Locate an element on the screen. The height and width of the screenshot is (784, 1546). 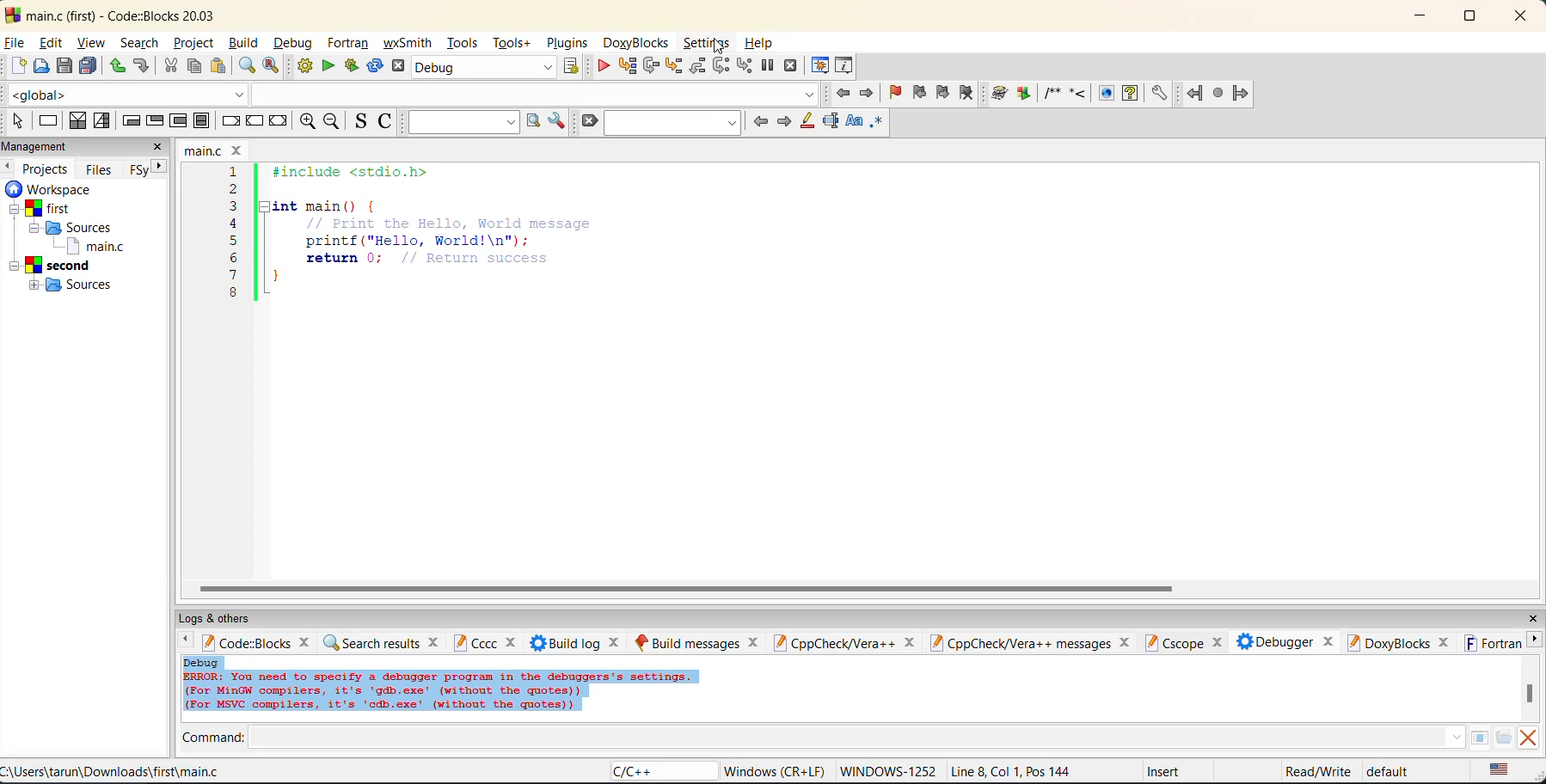
help is located at coordinates (763, 43).